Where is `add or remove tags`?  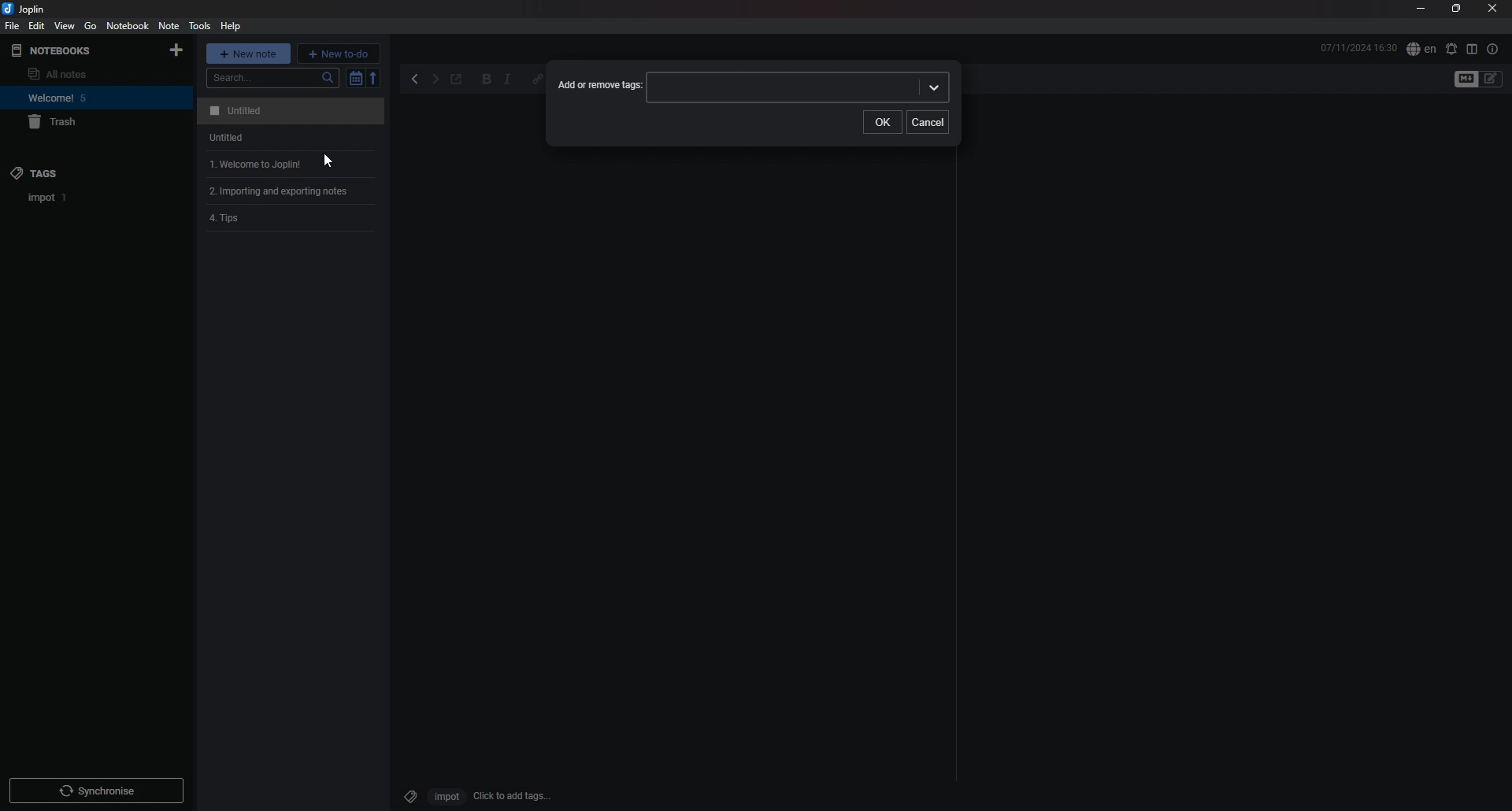 add or remove tags is located at coordinates (600, 87).